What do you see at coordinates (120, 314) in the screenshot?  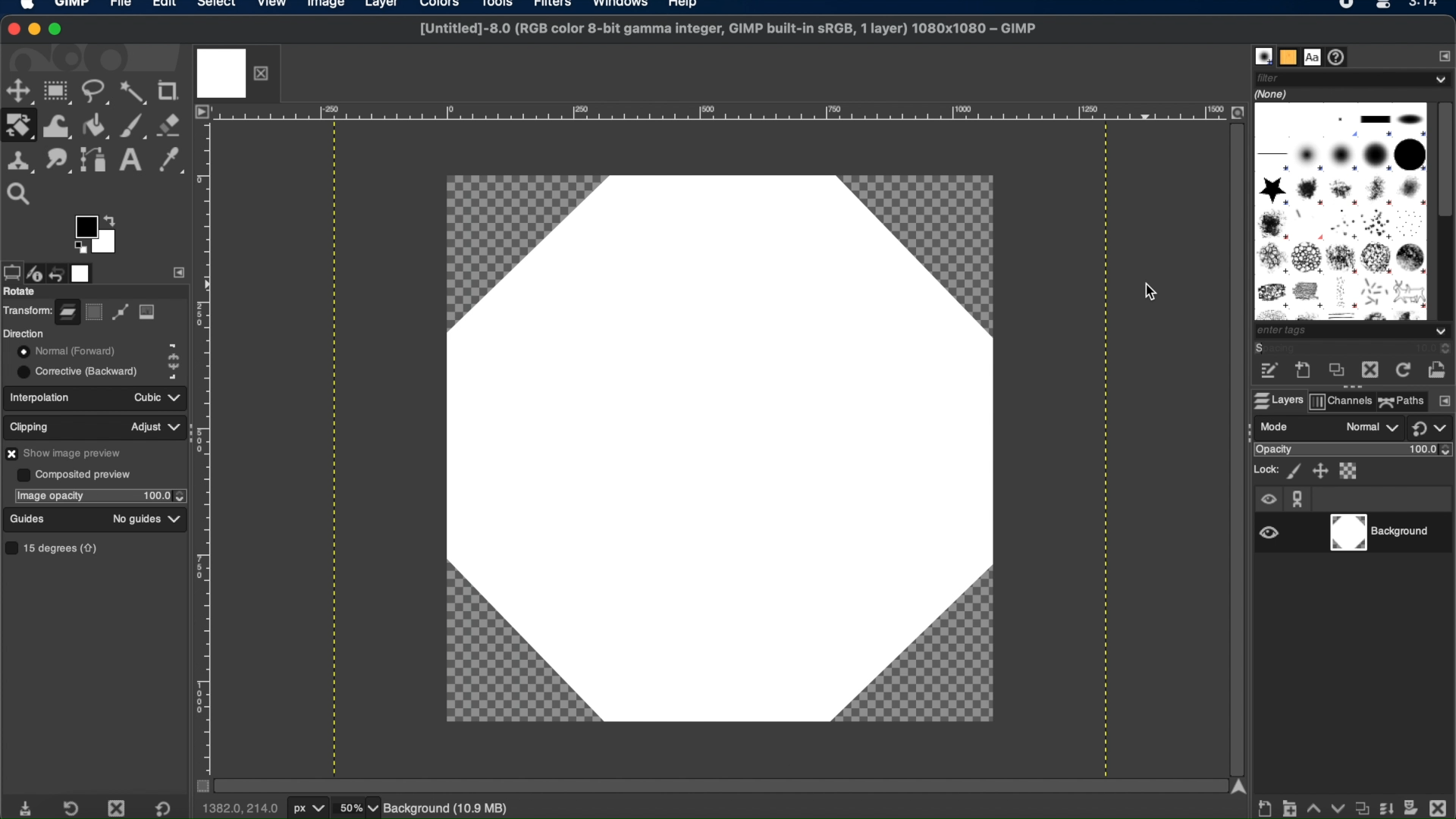 I see `path` at bounding box center [120, 314].